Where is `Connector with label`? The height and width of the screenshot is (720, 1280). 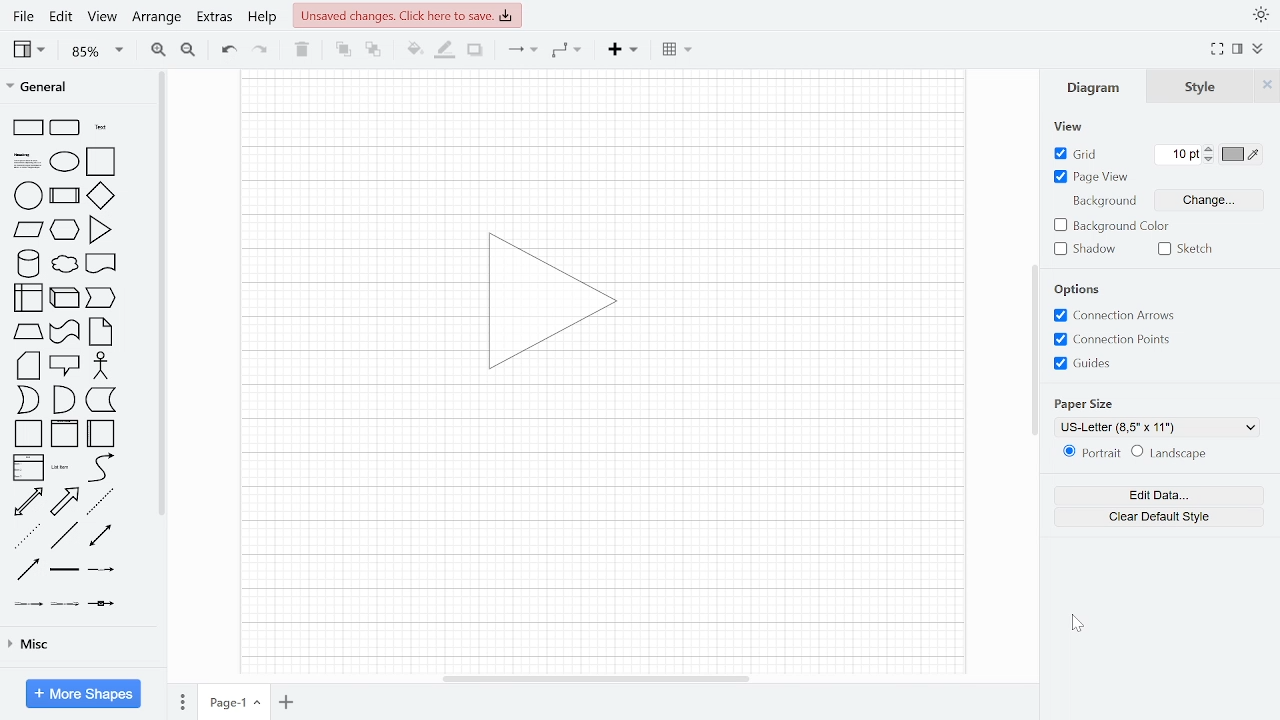
Connector with label is located at coordinates (101, 569).